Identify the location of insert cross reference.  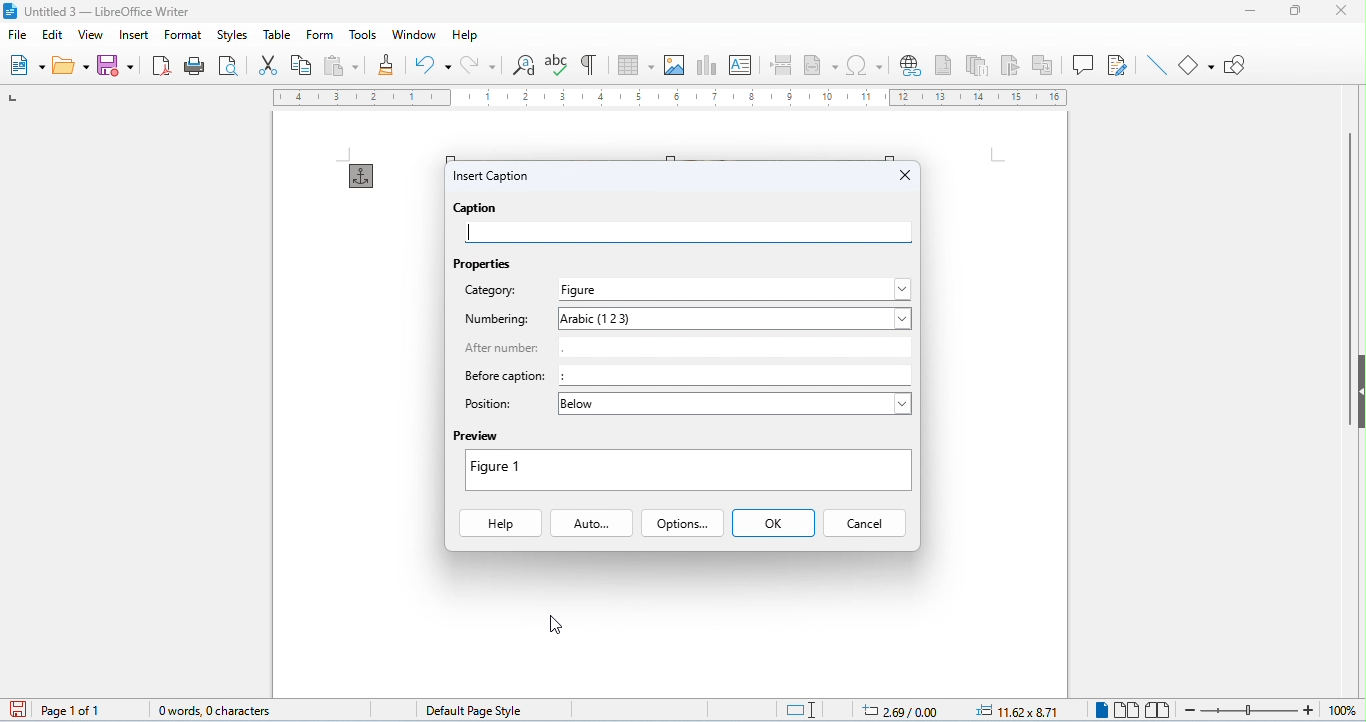
(1045, 65).